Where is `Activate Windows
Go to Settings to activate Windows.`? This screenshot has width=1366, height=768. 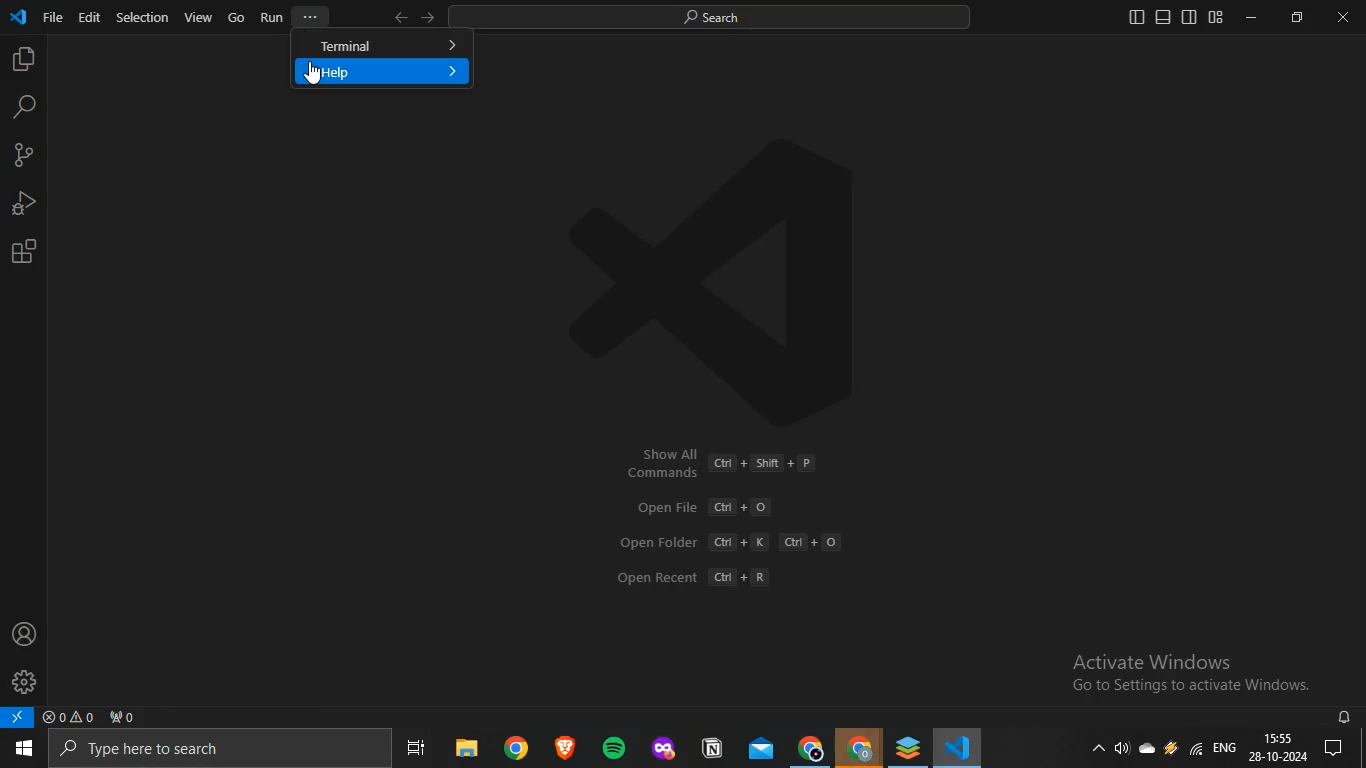
Activate Windows
Go to Settings to activate Windows. is located at coordinates (1172, 670).